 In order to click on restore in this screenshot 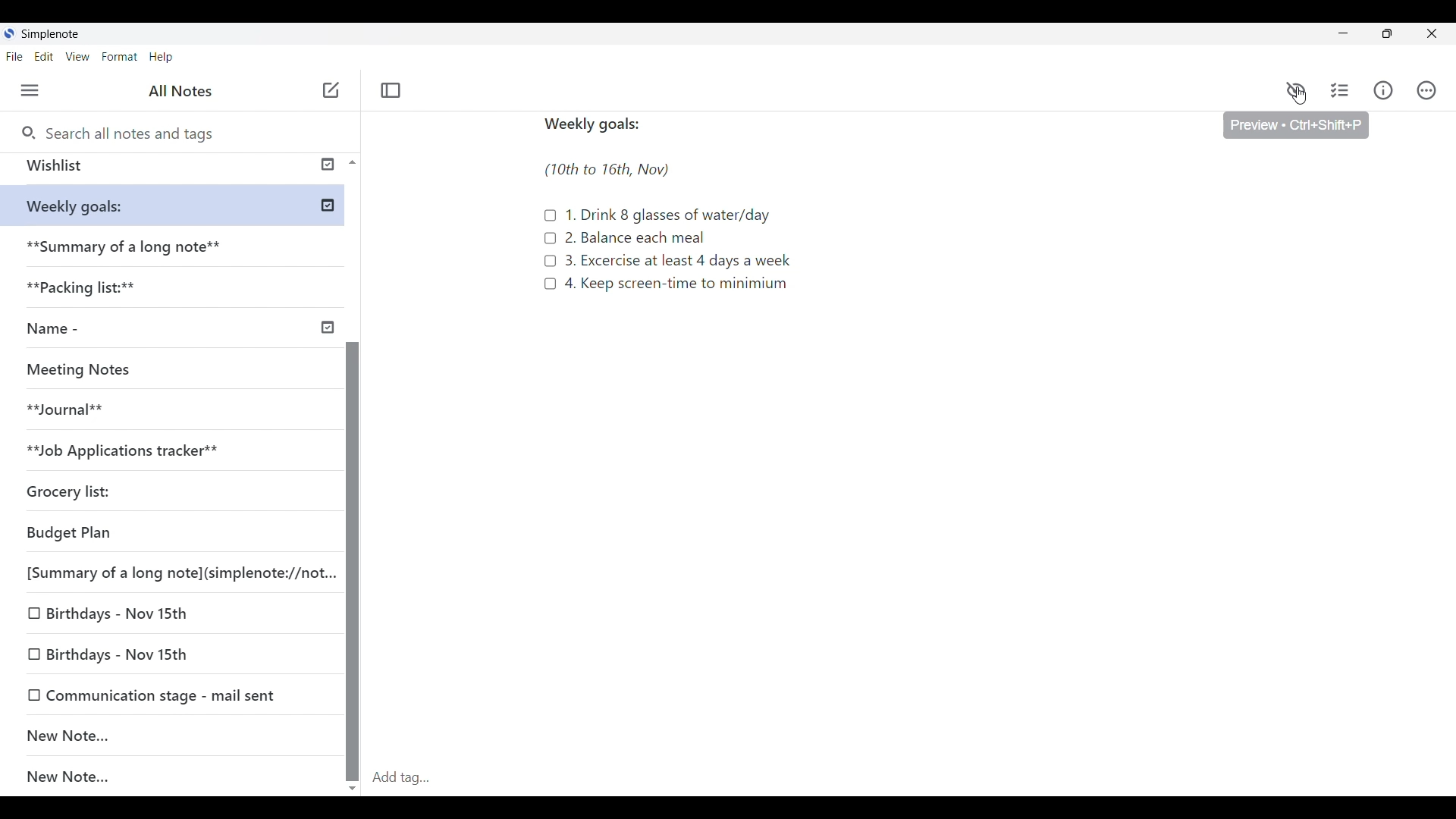, I will do `click(1400, 36)`.